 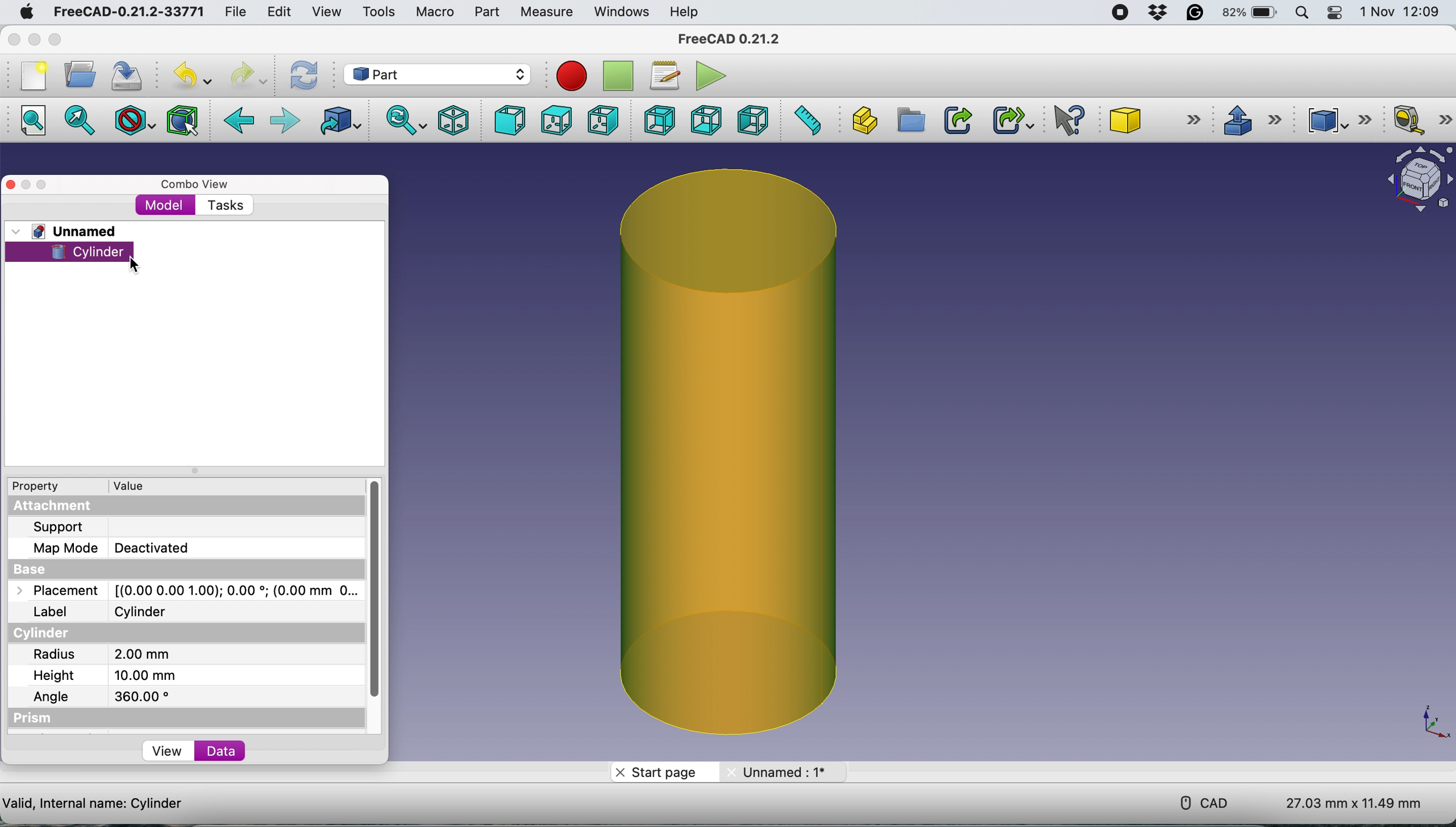 What do you see at coordinates (238, 11) in the screenshot?
I see `file` at bounding box center [238, 11].